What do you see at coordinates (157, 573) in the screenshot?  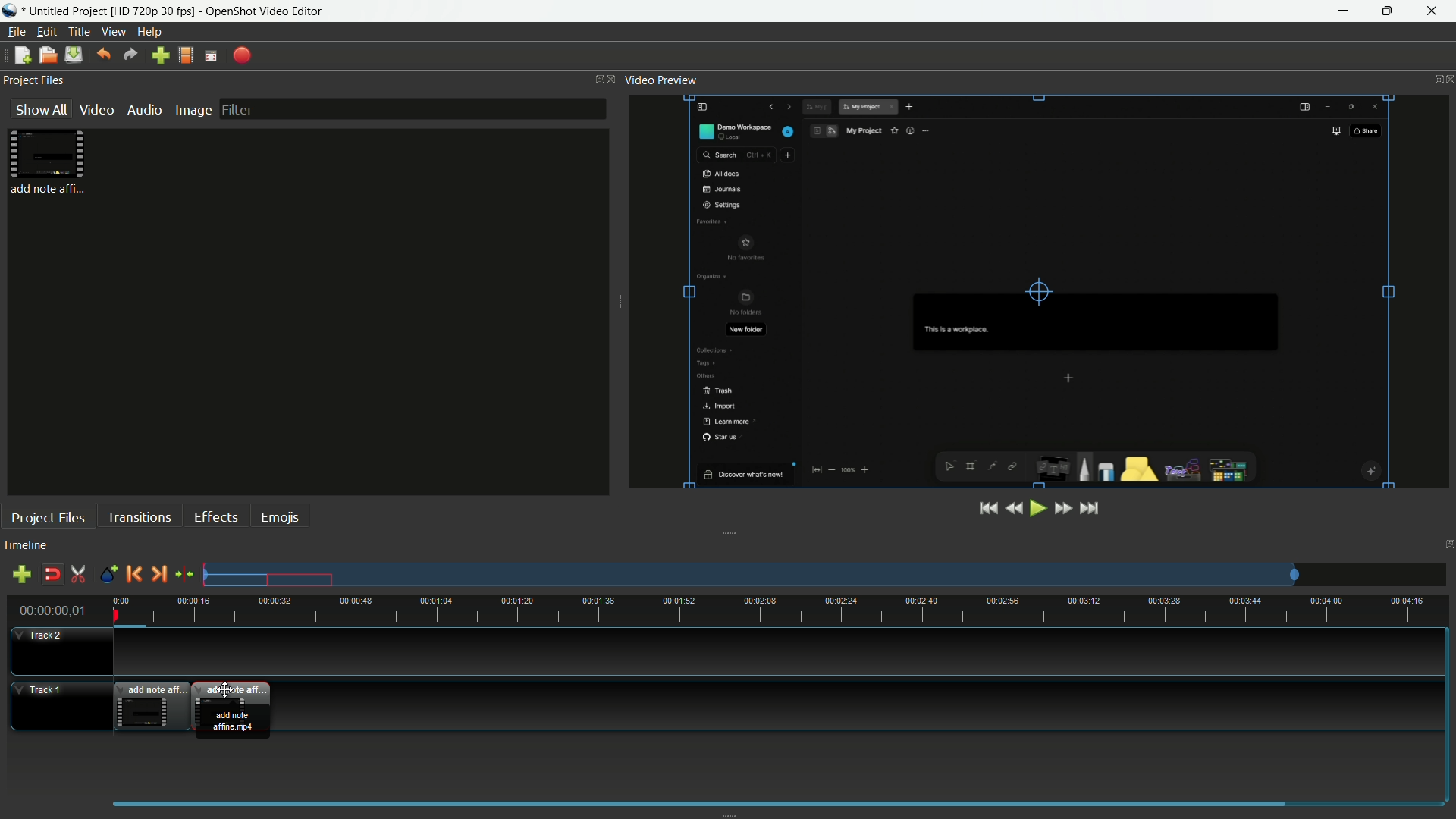 I see `next marker` at bounding box center [157, 573].